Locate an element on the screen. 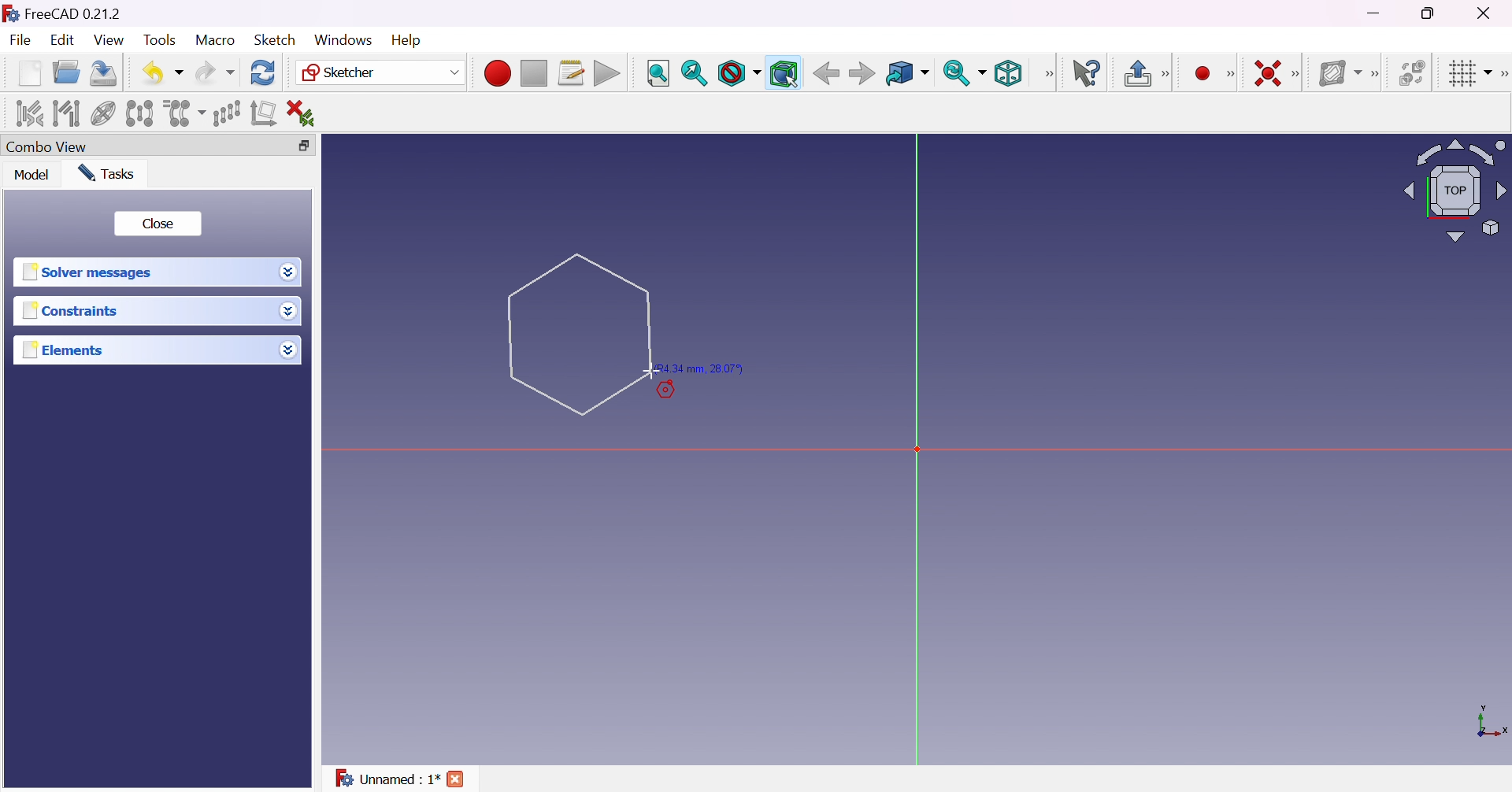 Image resolution: width=1512 pixels, height=792 pixels. Preview is located at coordinates (674, 393).